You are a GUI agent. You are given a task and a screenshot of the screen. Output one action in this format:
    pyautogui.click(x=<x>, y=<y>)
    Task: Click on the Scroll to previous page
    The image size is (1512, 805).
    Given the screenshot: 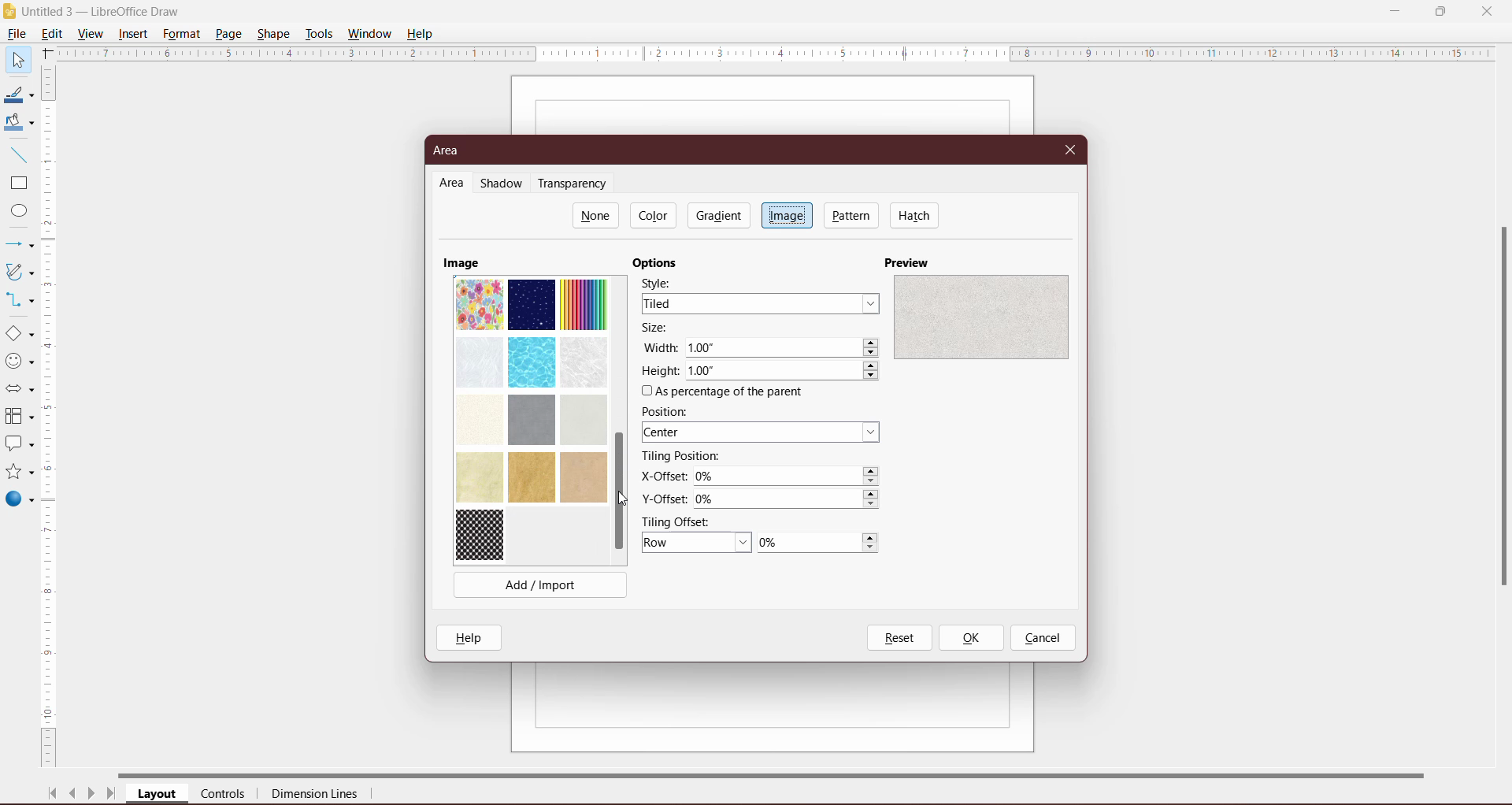 What is the action you would take?
    pyautogui.click(x=74, y=796)
    